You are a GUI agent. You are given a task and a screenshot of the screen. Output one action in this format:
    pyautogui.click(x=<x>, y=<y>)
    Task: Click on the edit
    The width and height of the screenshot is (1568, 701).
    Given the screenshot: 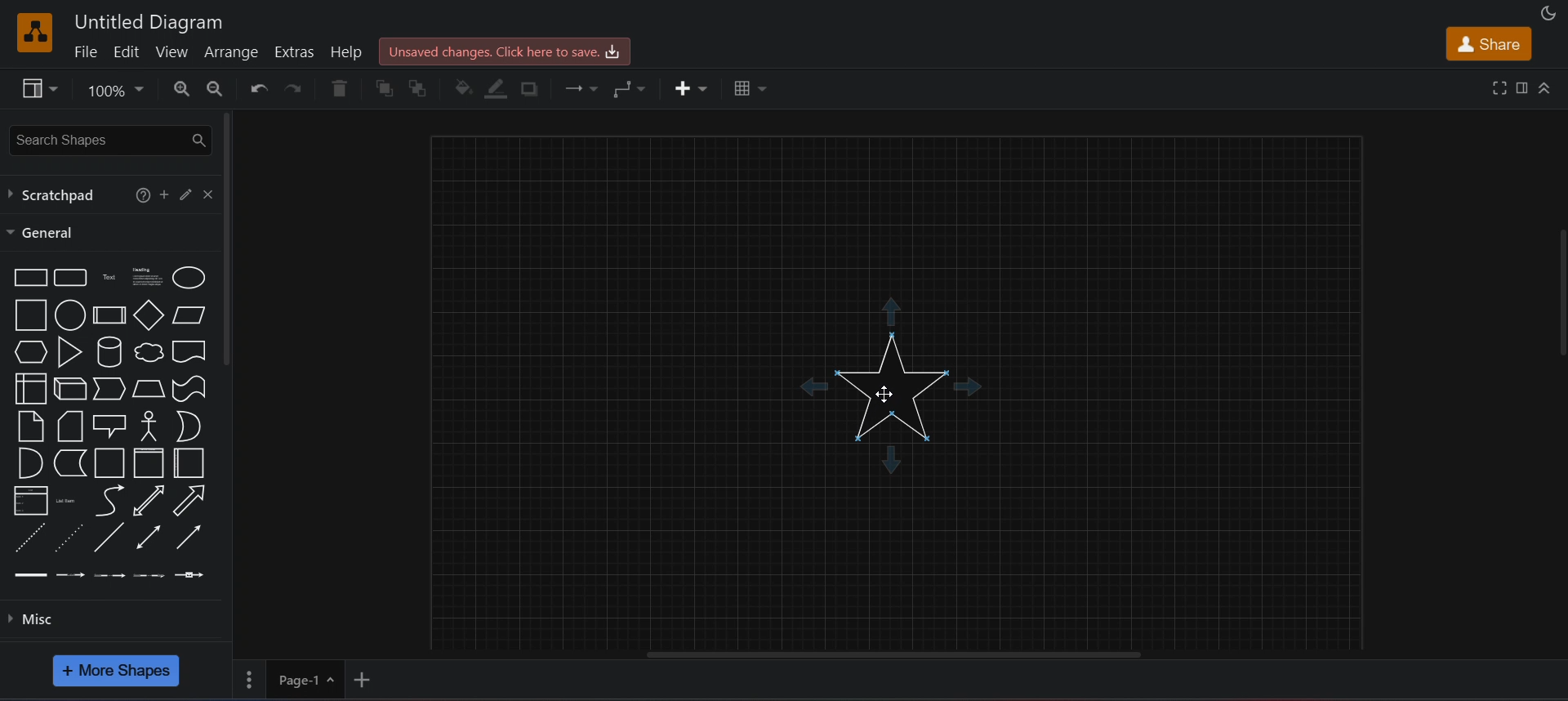 What is the action you would take?
    pyautogui.click(x=186, y=193)
    